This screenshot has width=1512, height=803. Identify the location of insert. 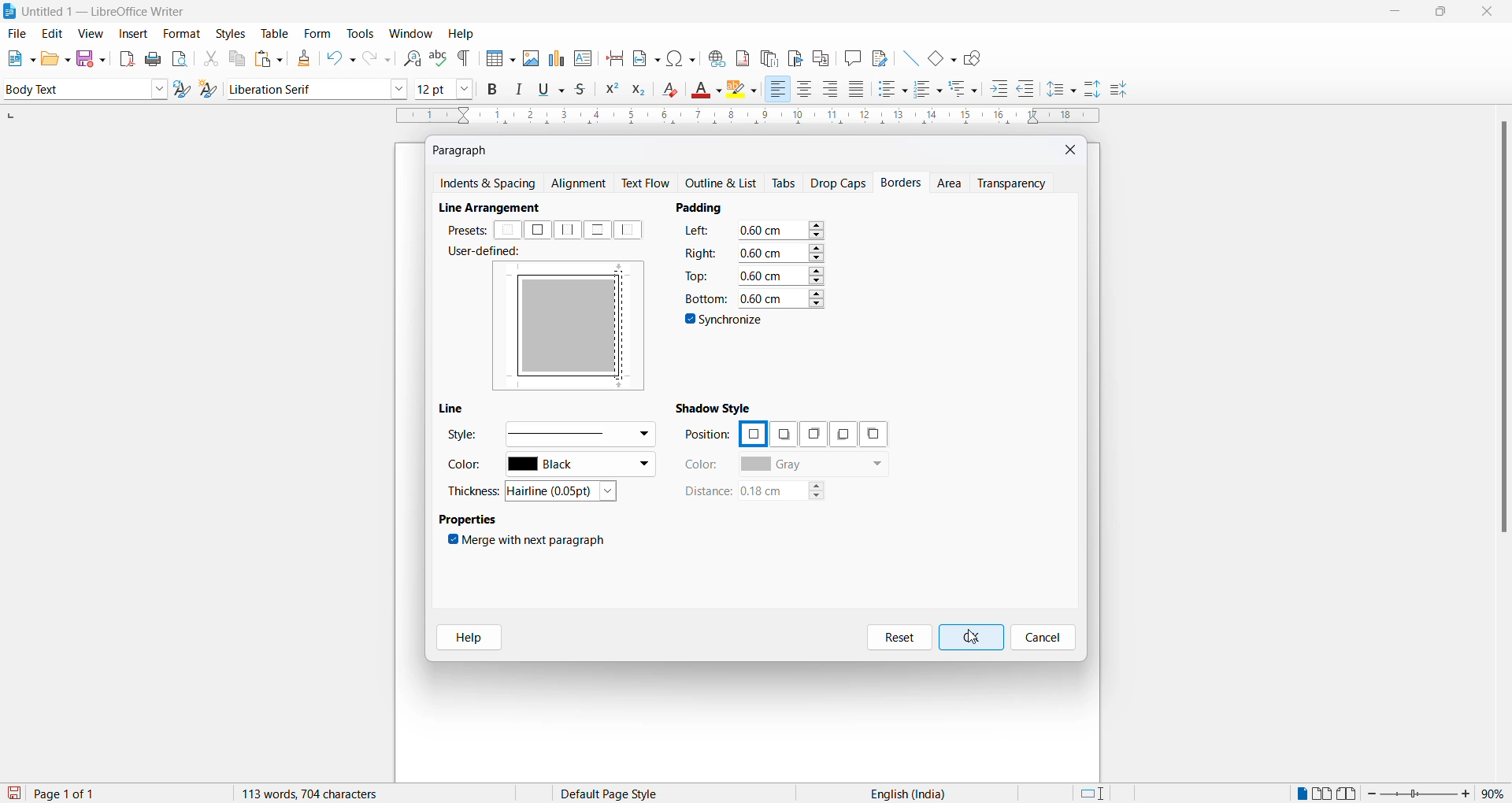
(132, 35).